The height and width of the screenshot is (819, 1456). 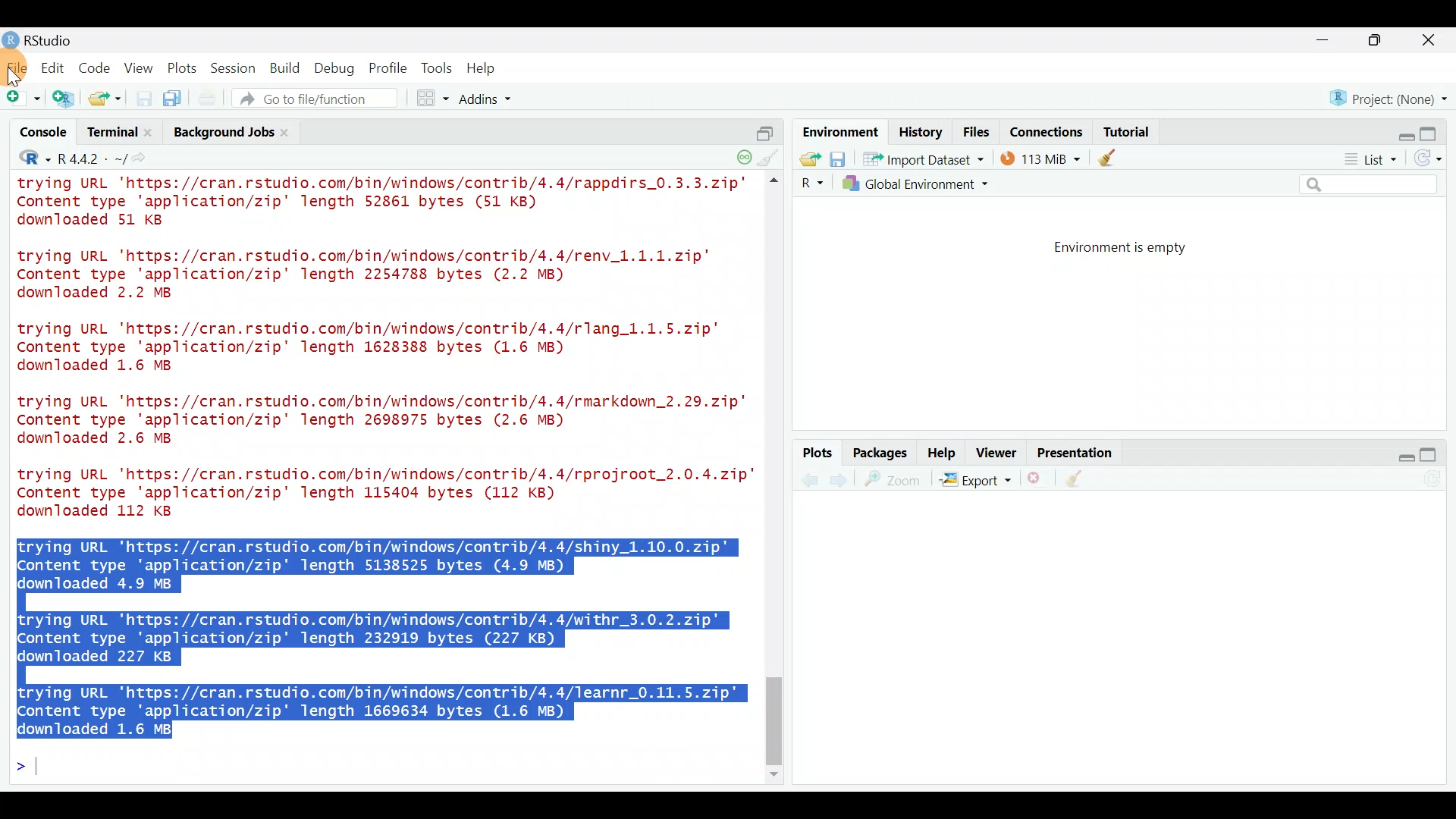 I want to click on View, so click(x=140, y=67).